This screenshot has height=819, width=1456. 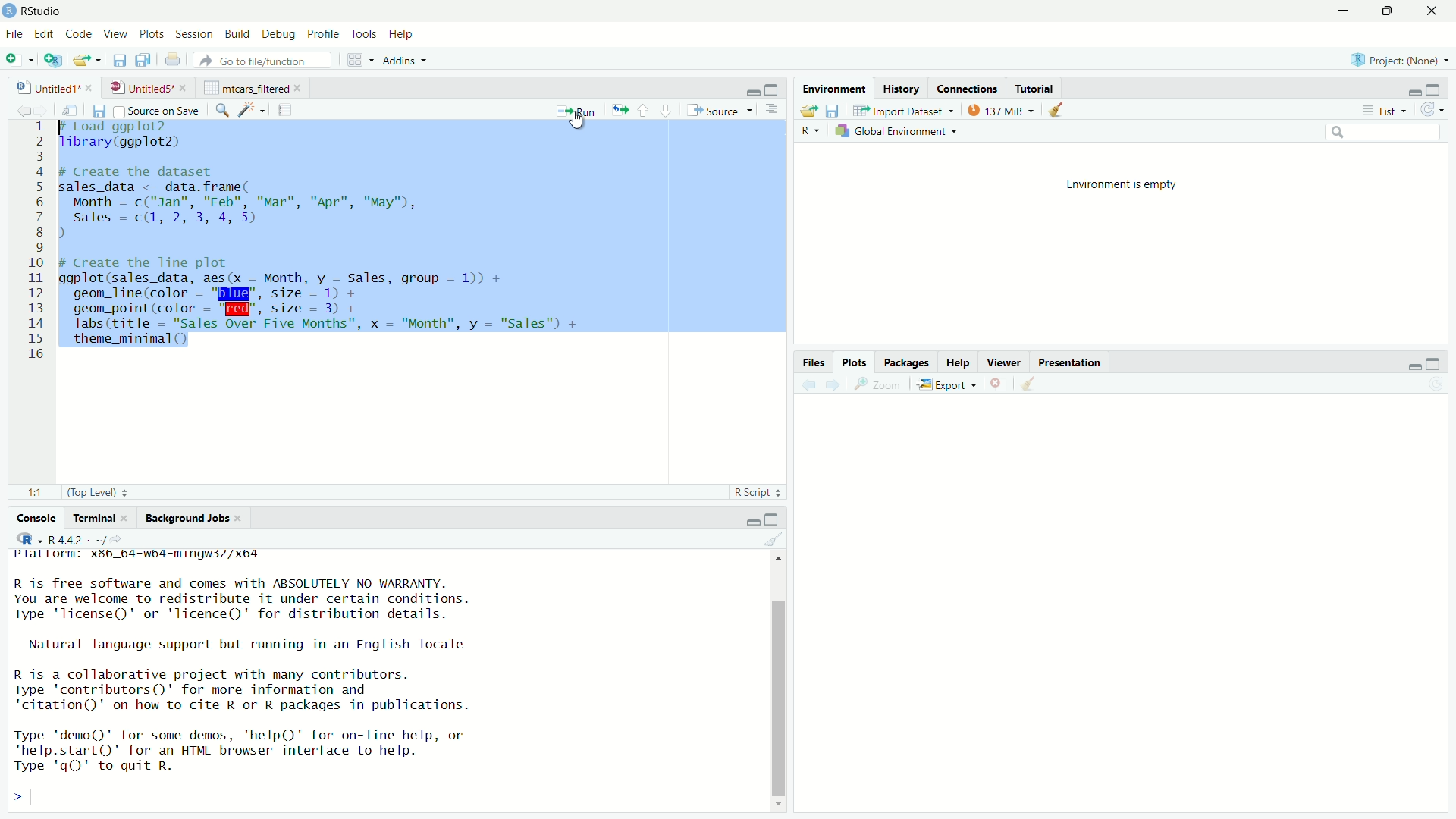 I want to click on 15:18, so click(x=39, y=493).